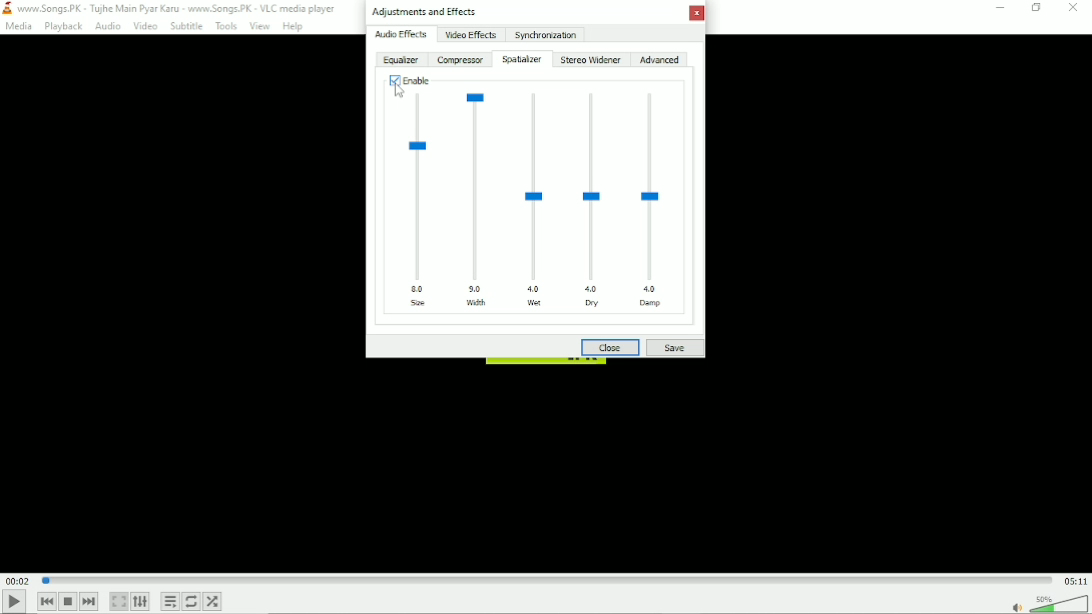 This screenshot has width=1092, height=614. What do you see at coordinates (186, 27) in the screenshot?
I see `Subtitle` at bounding box center [186, 27].